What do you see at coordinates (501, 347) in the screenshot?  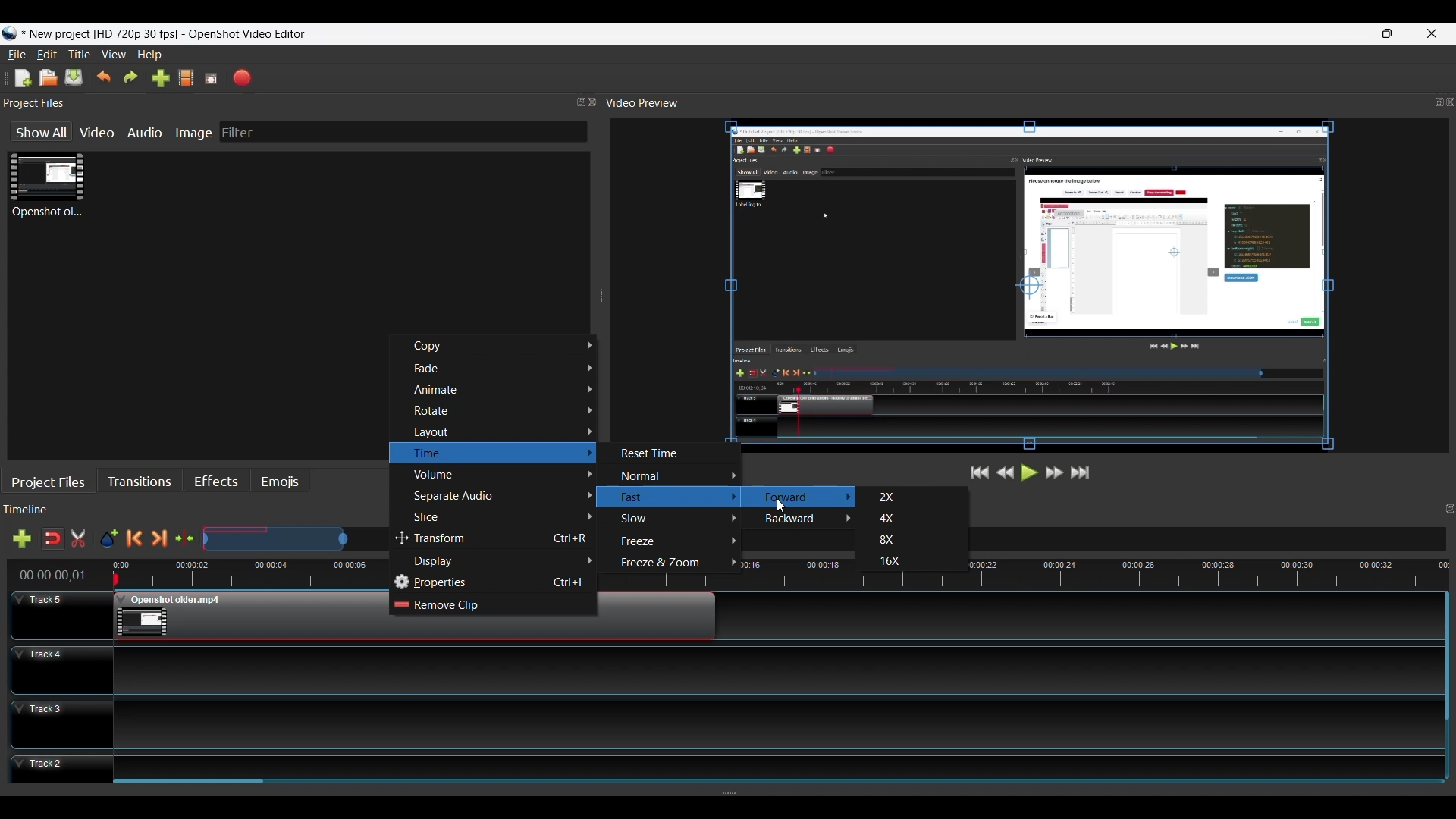 I see `Copy` at bounding box center [501, 347].